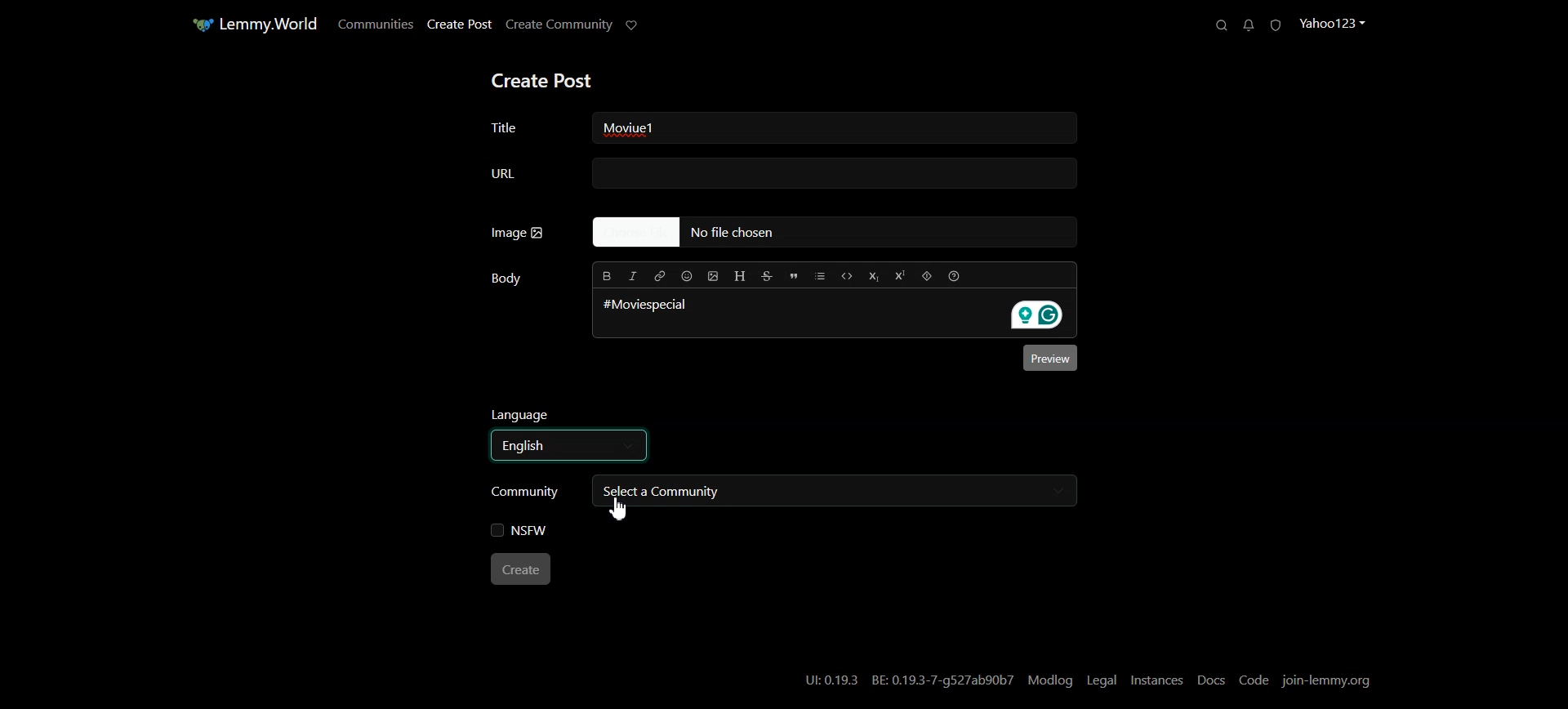 This screenshot has height=709, width=1568. I want to click on Code, so click(848, 275).